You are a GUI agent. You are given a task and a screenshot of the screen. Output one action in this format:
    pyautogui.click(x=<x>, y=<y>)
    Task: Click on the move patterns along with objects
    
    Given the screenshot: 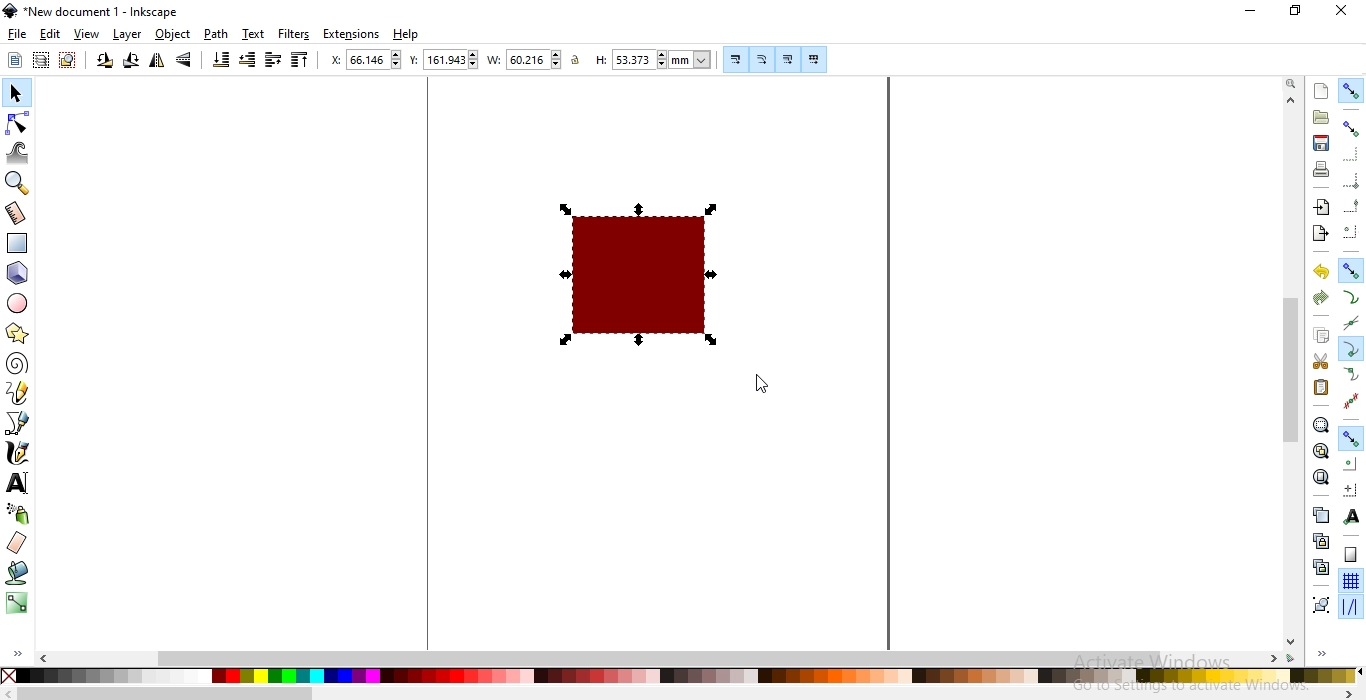 What is the action you would take?
    pyautogui.click(x=814, y=60)
    